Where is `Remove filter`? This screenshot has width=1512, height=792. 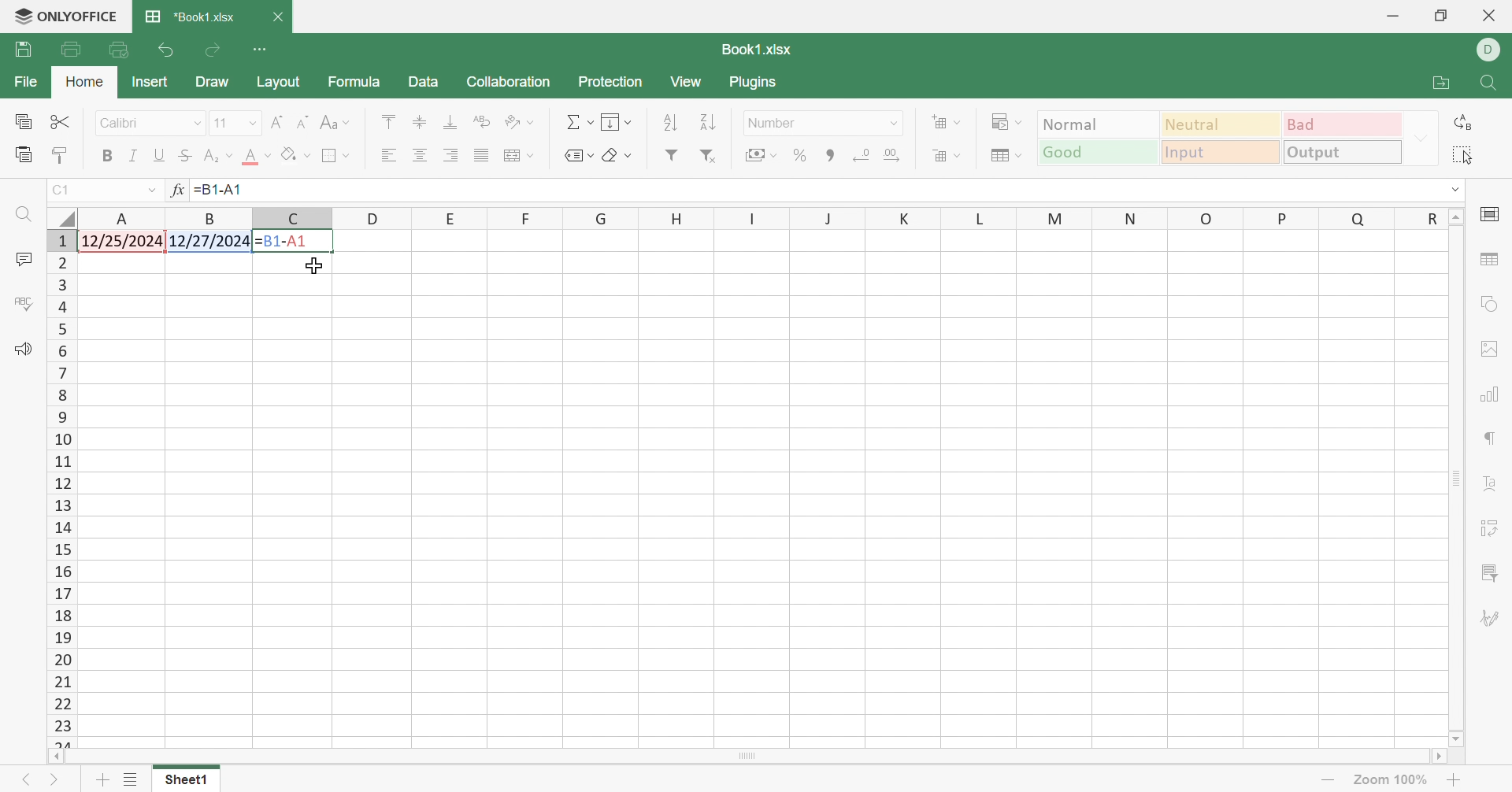
Remove filter is located at coordinates (710, 156).